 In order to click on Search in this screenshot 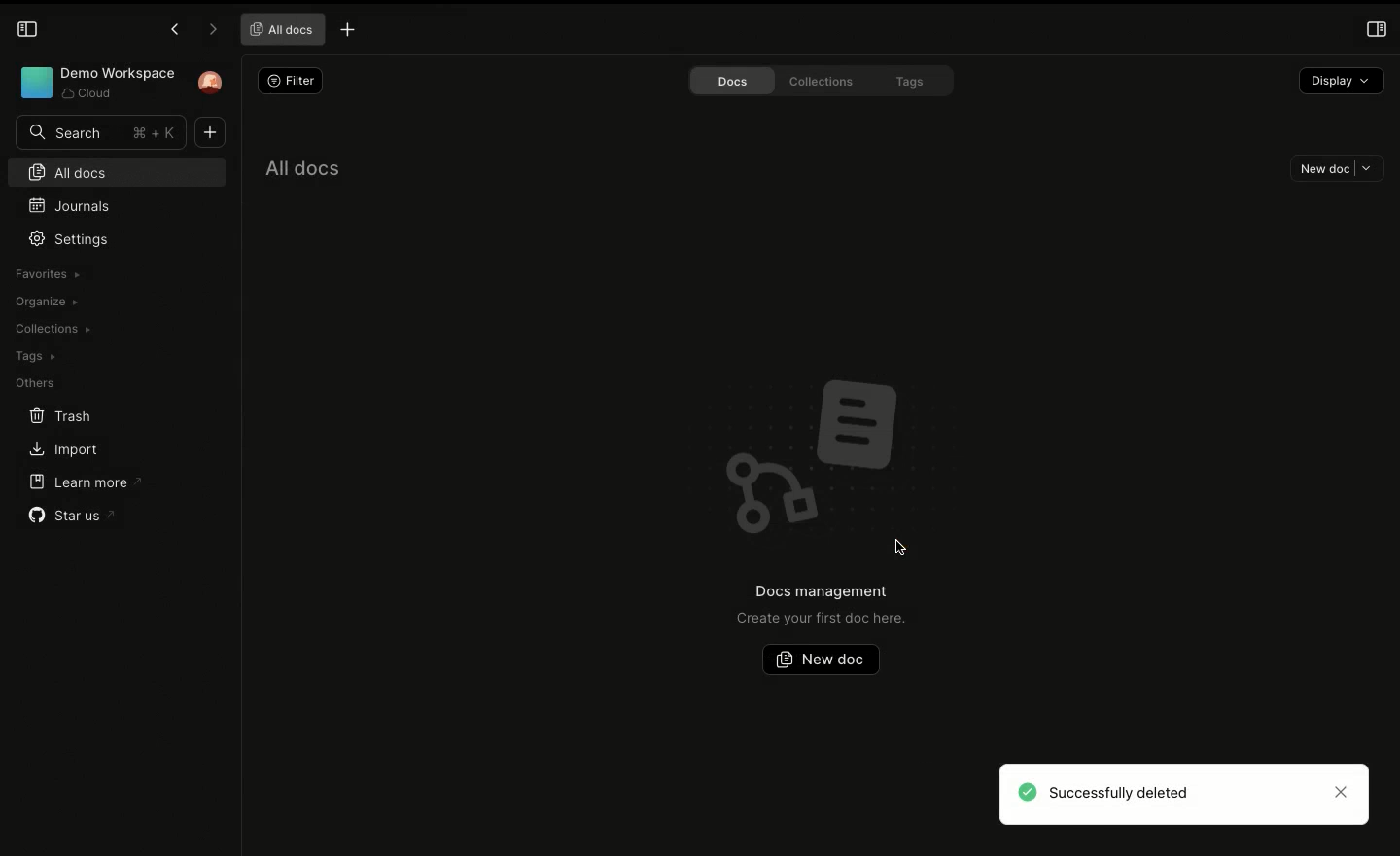, I will do `click(100, 132)`.